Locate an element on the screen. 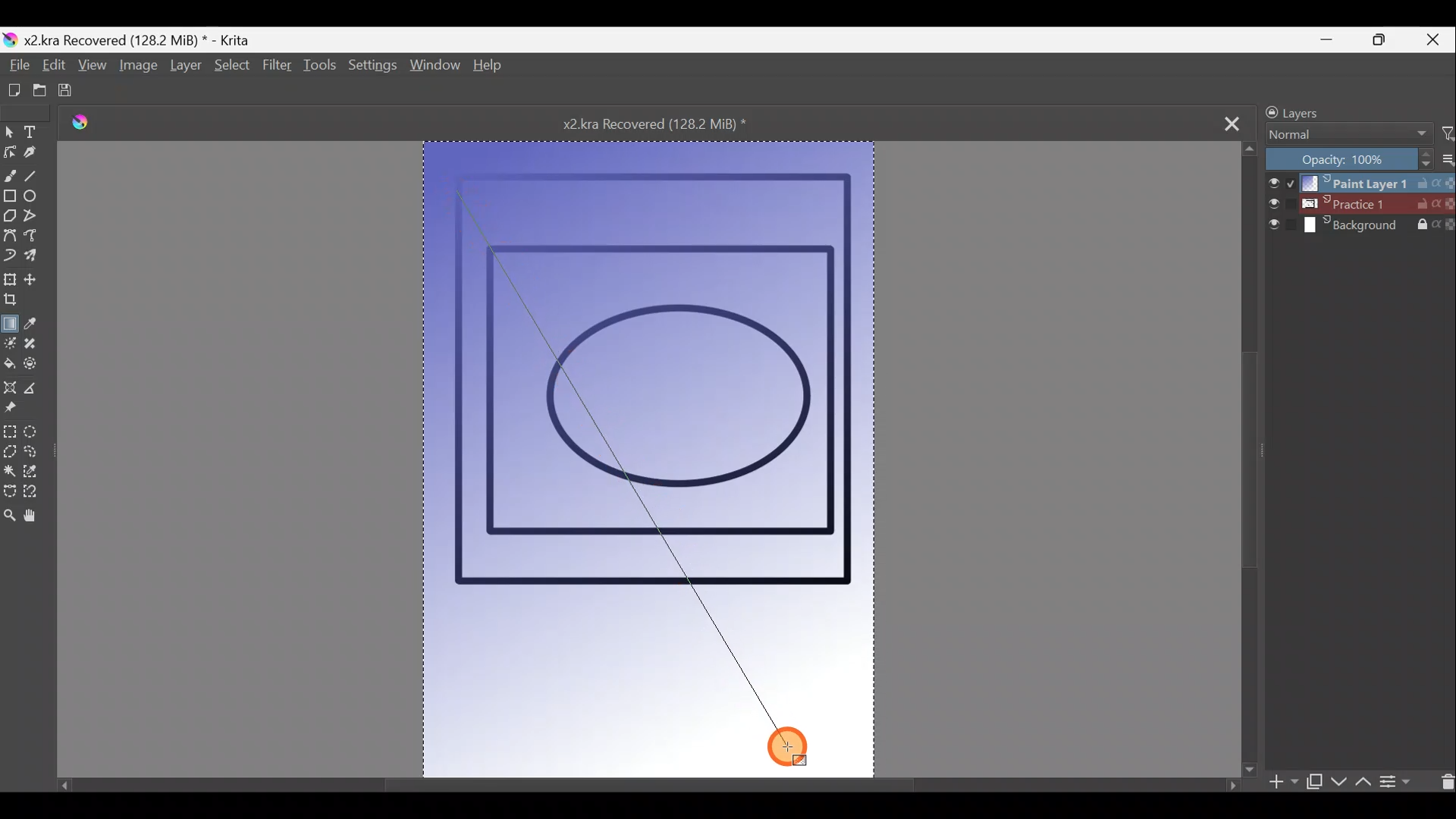 This screenshot has height=819, width=1456. Layer 2 is located at coordinates (1360, 204).